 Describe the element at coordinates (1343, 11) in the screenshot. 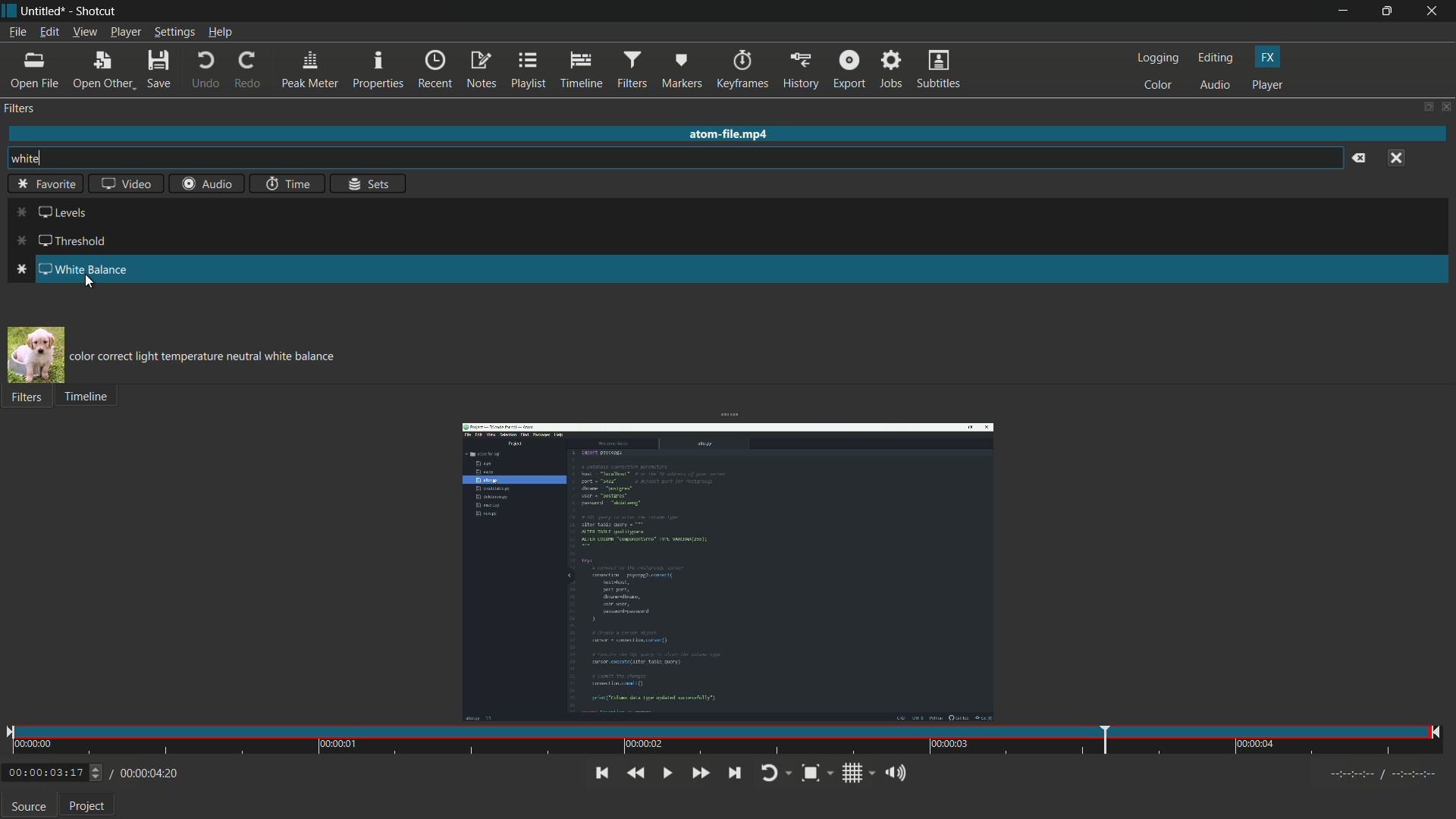

I see `minimize` at that location.